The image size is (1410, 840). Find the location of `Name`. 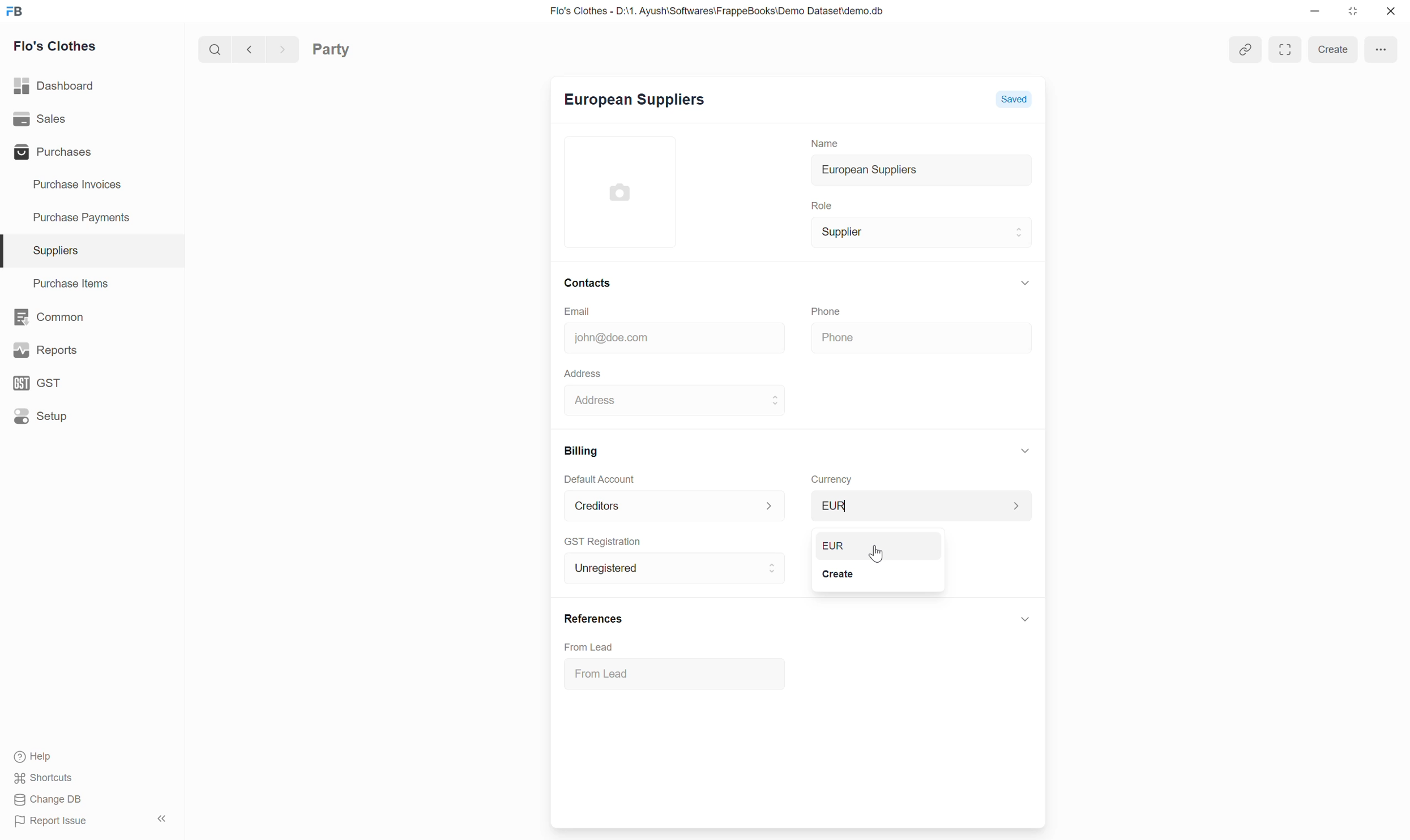

Name is located at coordinates (818, 140).